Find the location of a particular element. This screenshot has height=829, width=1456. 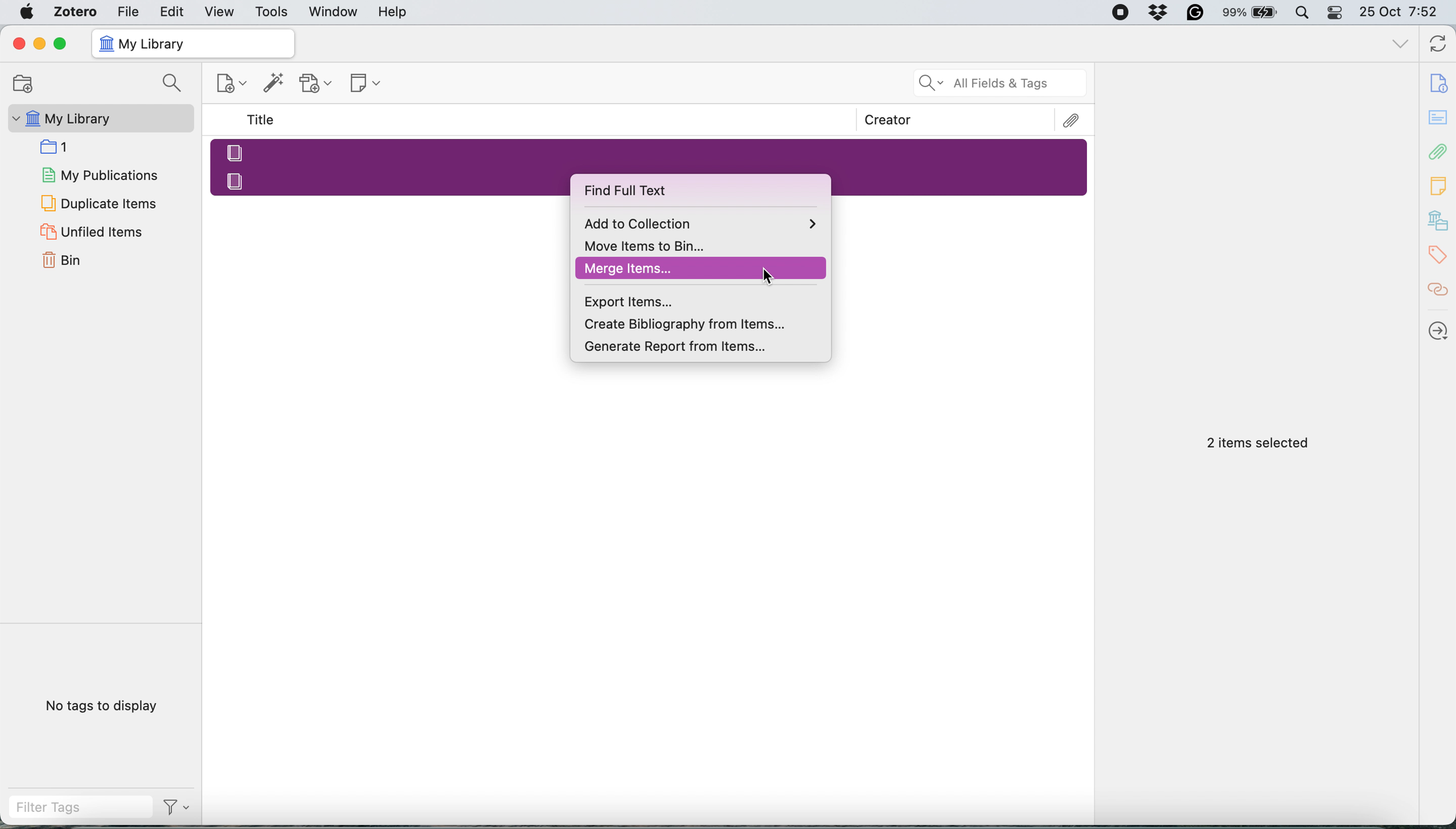

Find Full Text is located at coordinates (656, 191).